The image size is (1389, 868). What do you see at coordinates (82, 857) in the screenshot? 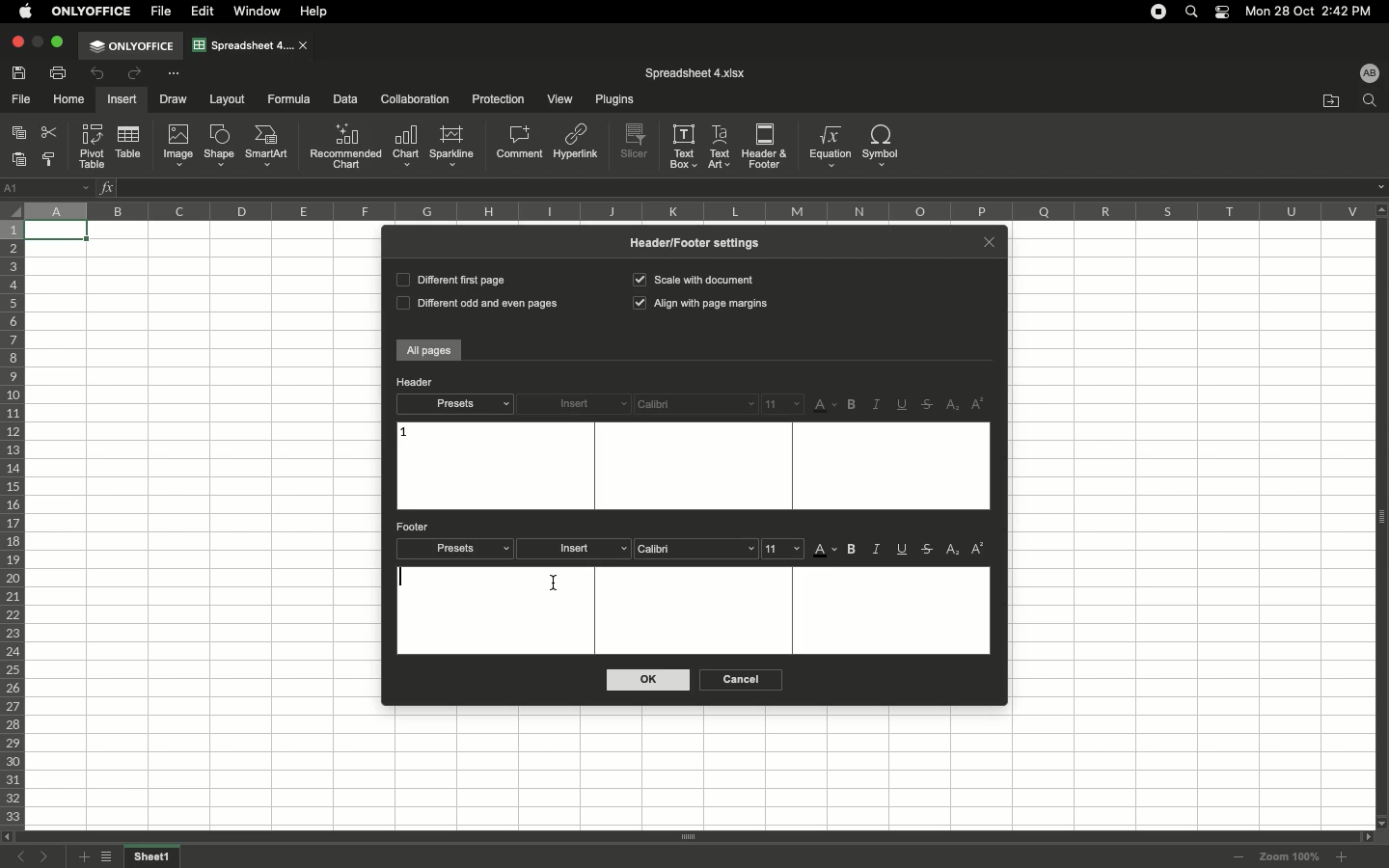
I see `Add sheet` at bounding box center [82, 857].